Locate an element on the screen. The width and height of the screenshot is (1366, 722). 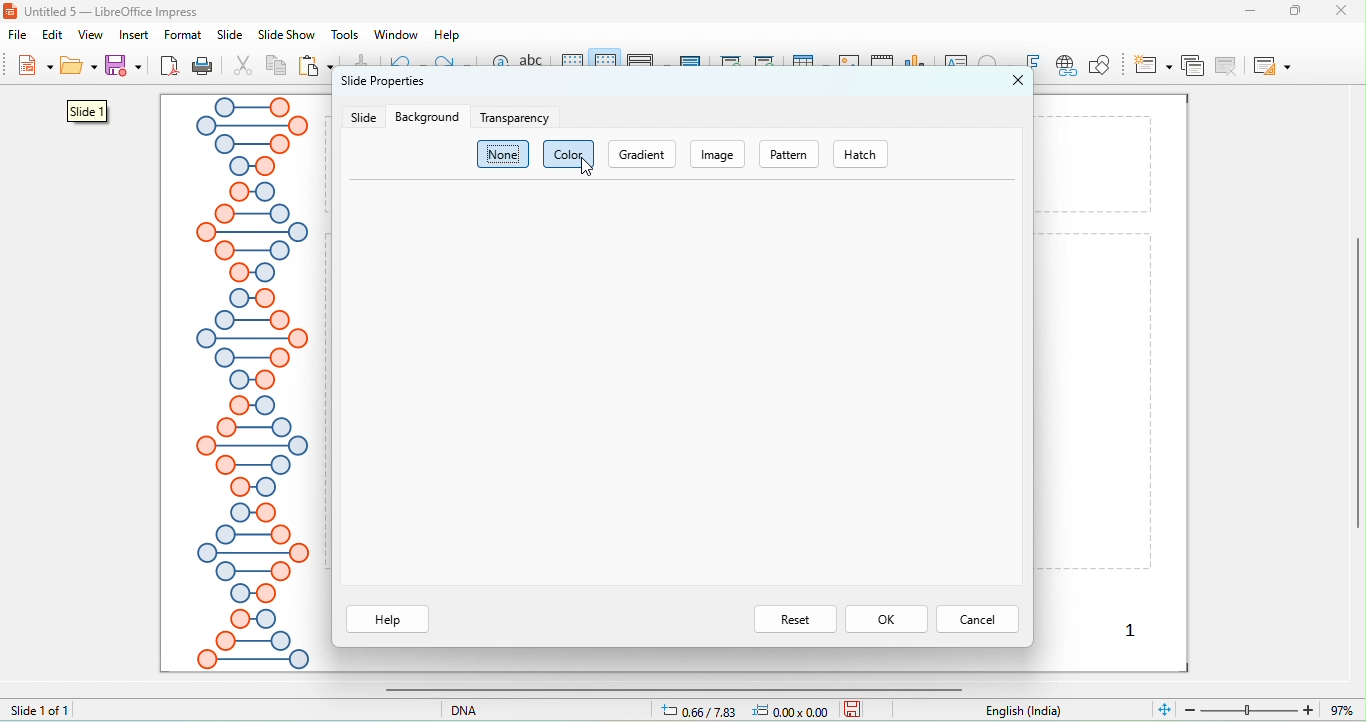
clone is located at coordinates (359, 61).